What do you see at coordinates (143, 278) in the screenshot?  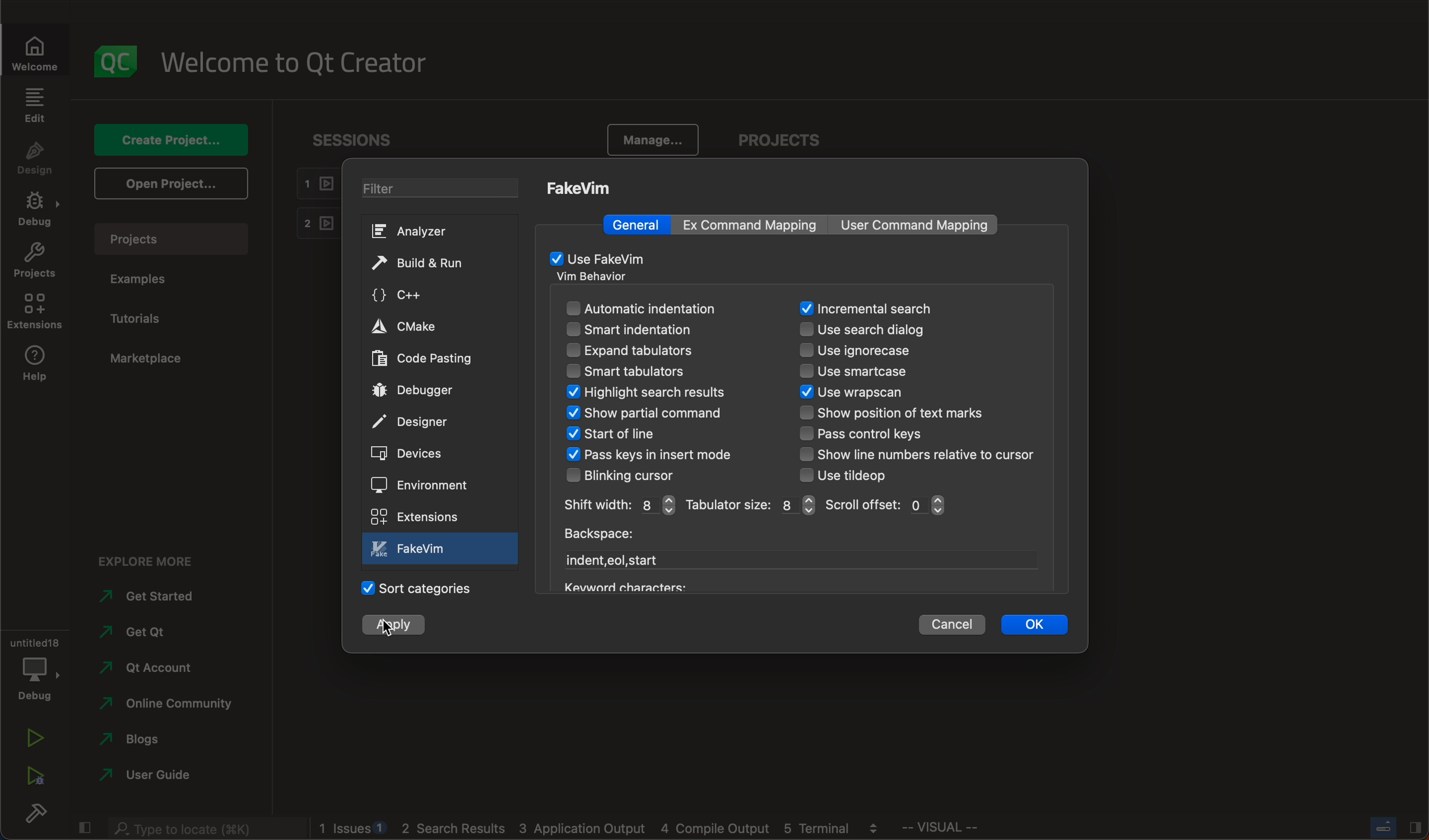 I see `examples` at bounding box center [143, 278].